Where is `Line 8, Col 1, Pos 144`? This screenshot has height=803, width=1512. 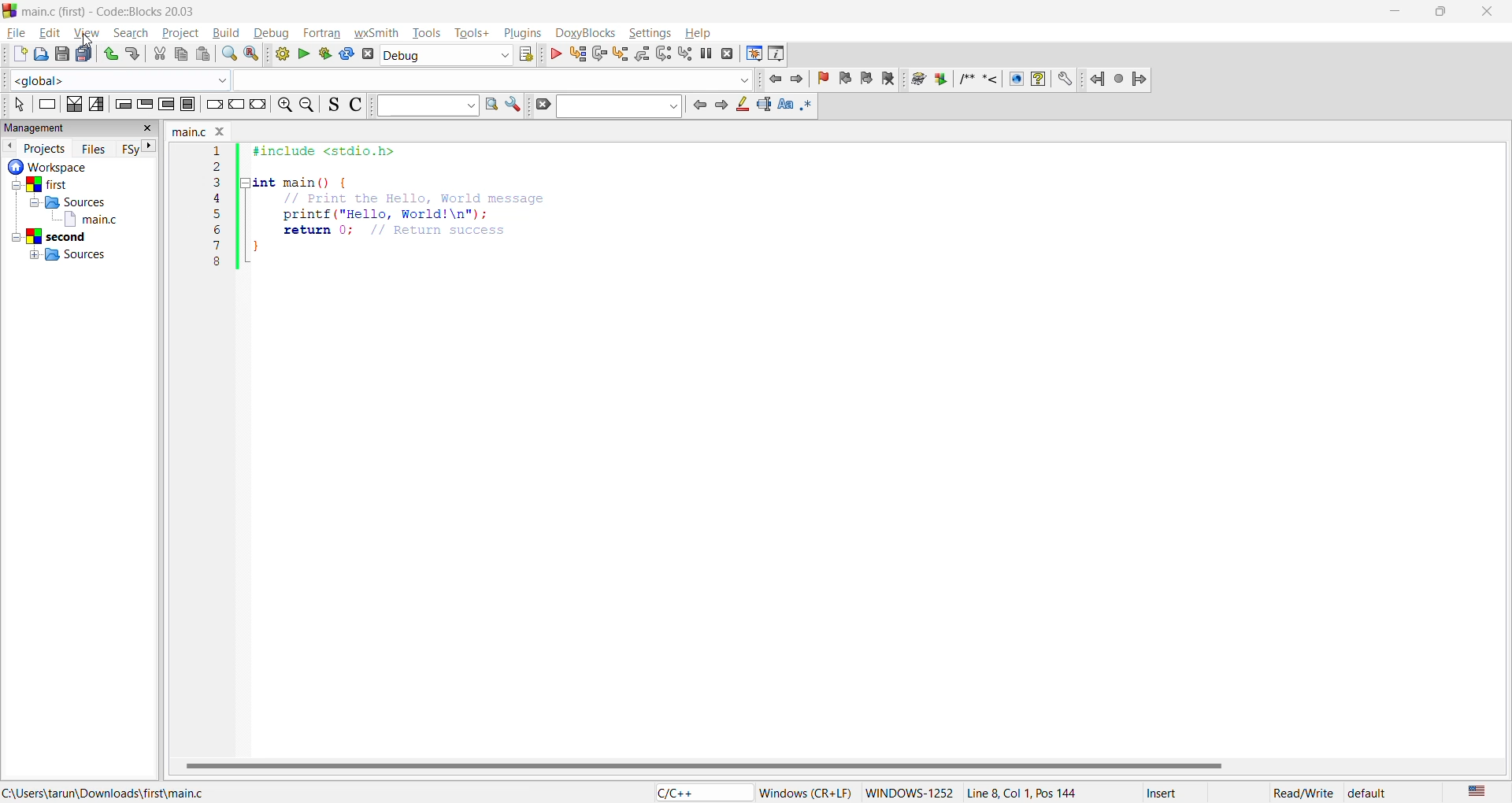 Line 8, Col 1, Pos 144 is located at coordinates (1021, 793).